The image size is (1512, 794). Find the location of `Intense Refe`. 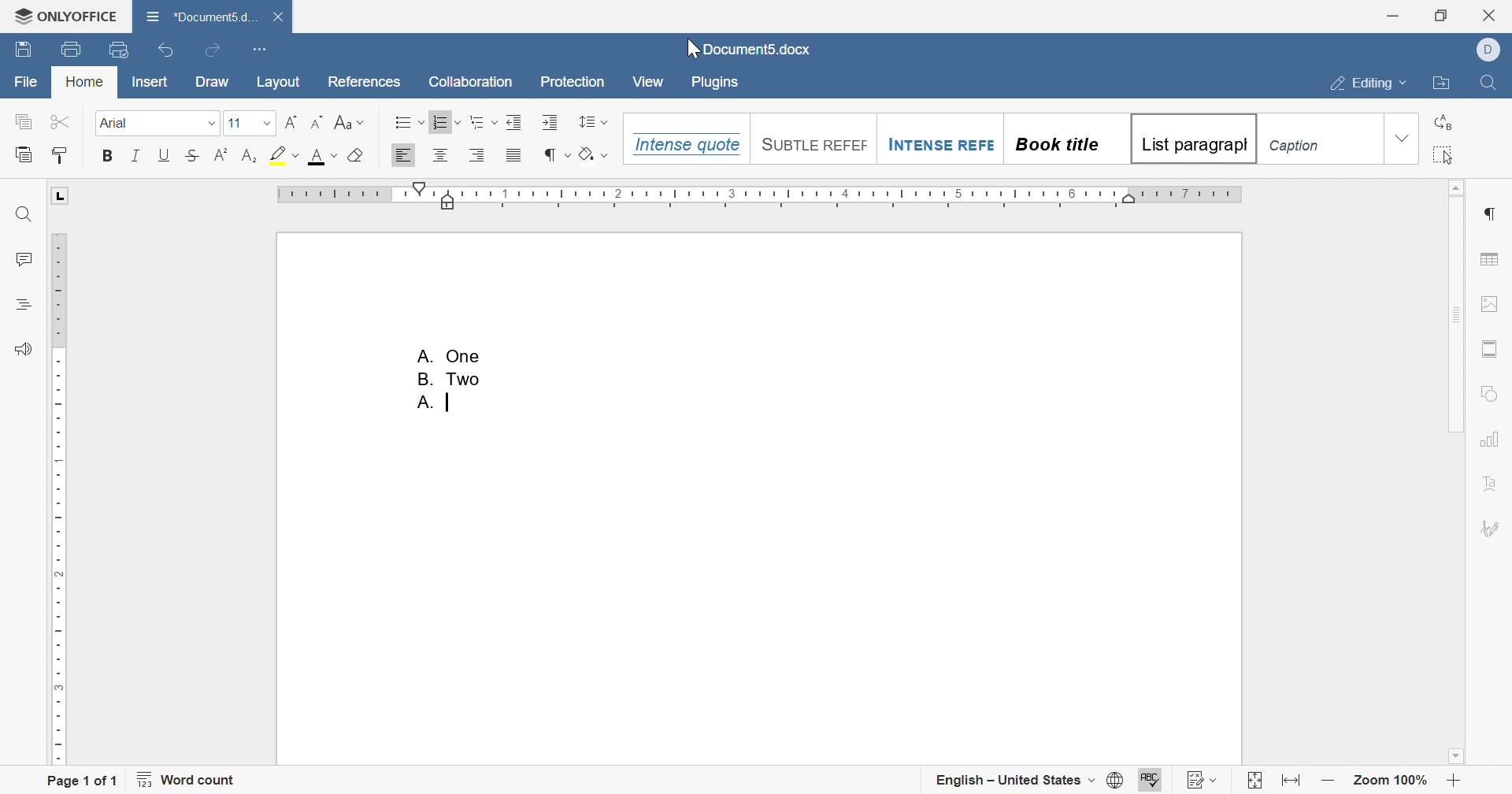

Intense Refe is located at coordinates (939, 147).